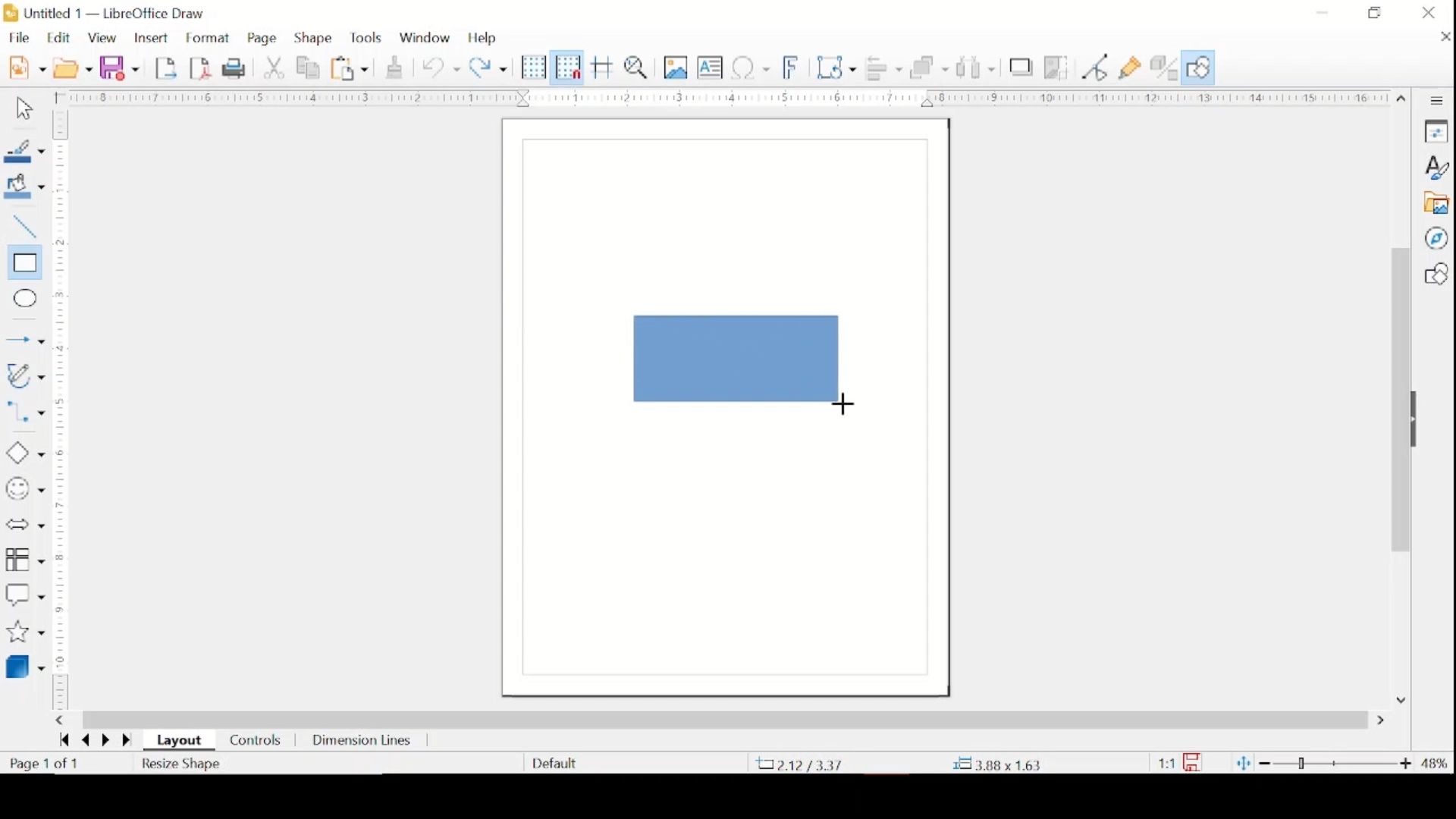  Describe the element at coordinates (568, 67) in the screenshot. I see `snap to grid` at that location.